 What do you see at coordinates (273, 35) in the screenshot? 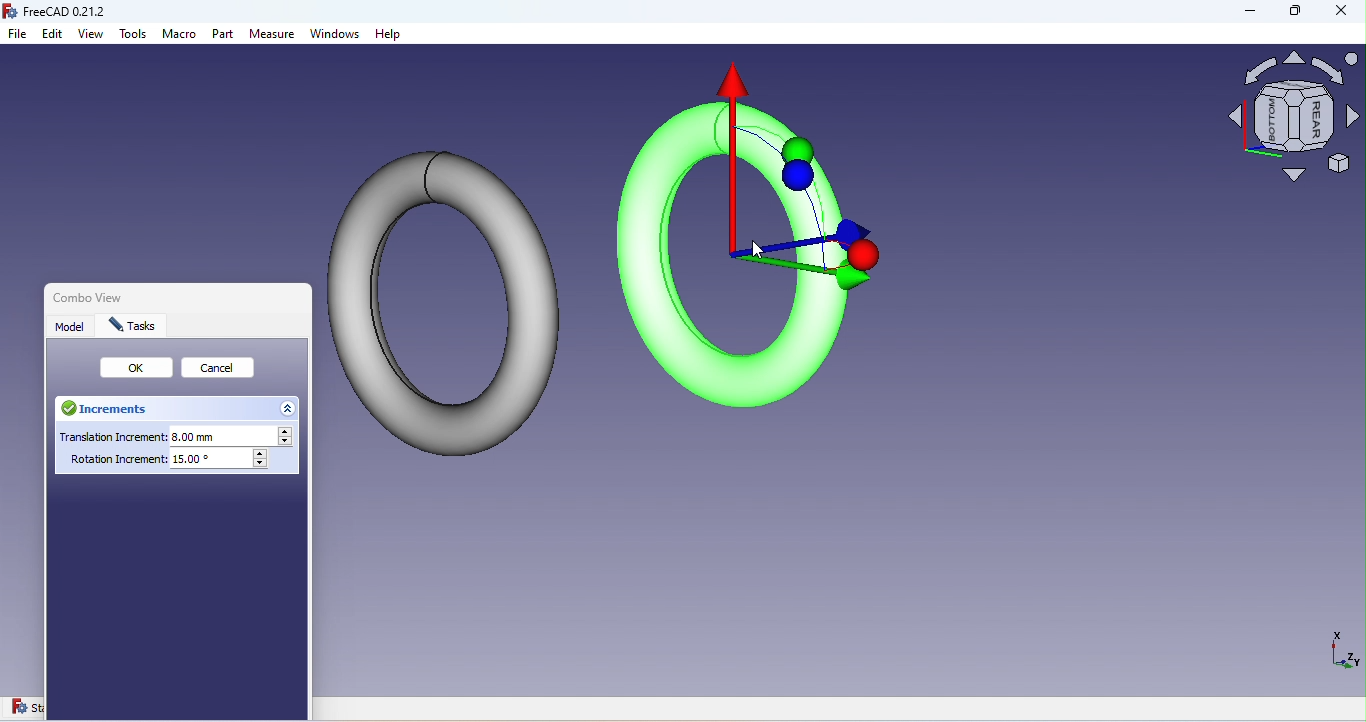
I see `Measure` at bounding box center [273, 35].